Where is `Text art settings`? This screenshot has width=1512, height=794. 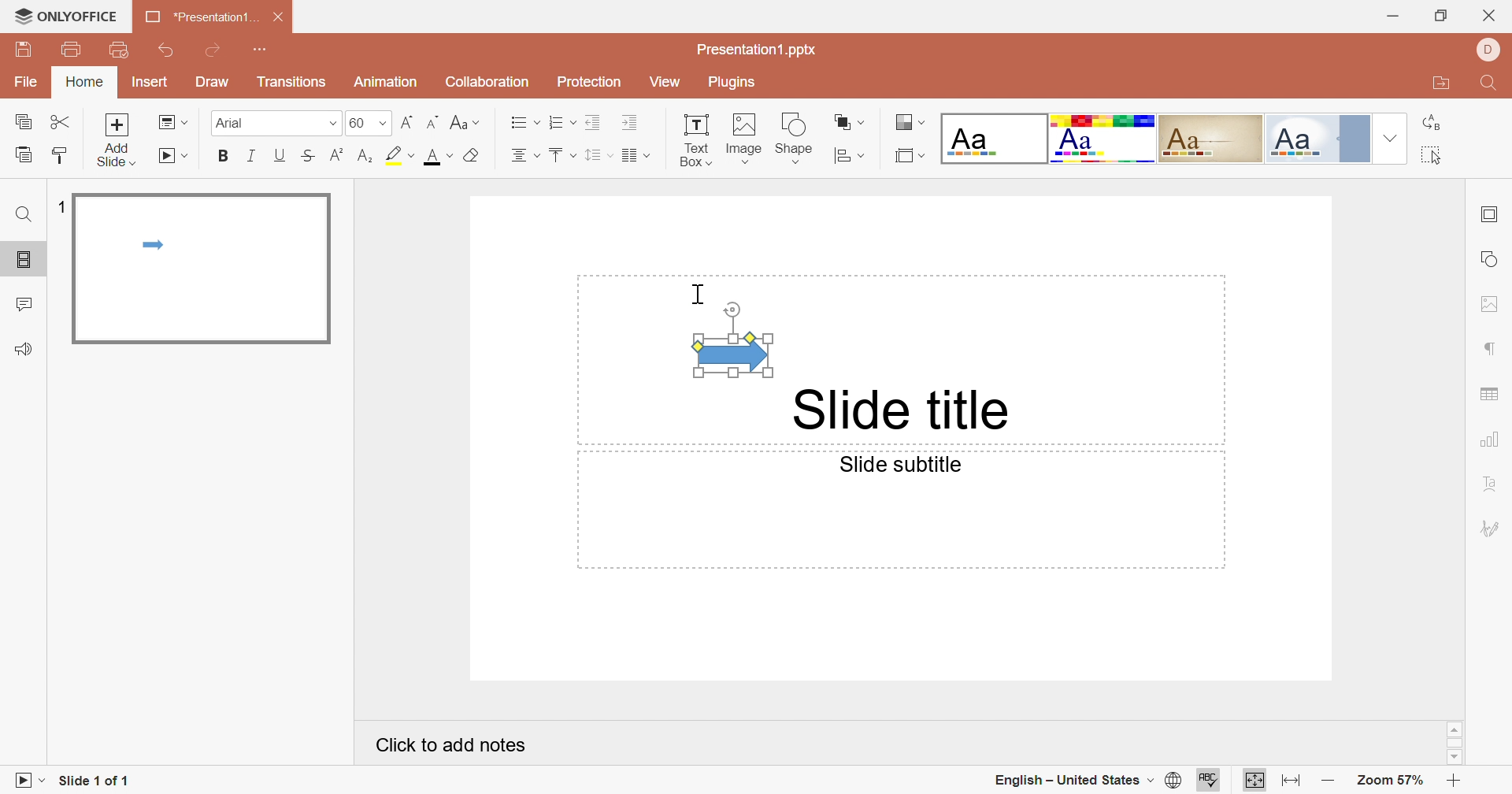
Text art settings is located at coordinates (1491, 483).